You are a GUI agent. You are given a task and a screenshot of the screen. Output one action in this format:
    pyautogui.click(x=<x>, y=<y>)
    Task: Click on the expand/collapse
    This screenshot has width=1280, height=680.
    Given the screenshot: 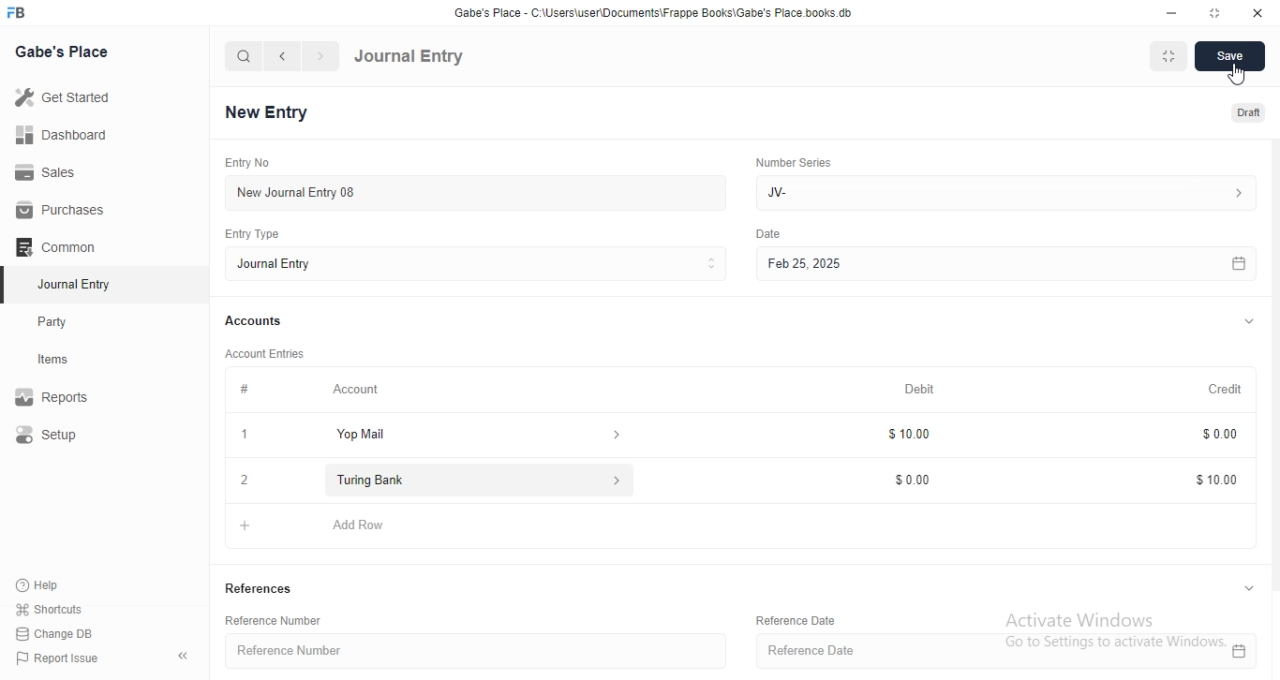 What is the action you would take?
    pyautogui.click(x=1248, y=323)
    